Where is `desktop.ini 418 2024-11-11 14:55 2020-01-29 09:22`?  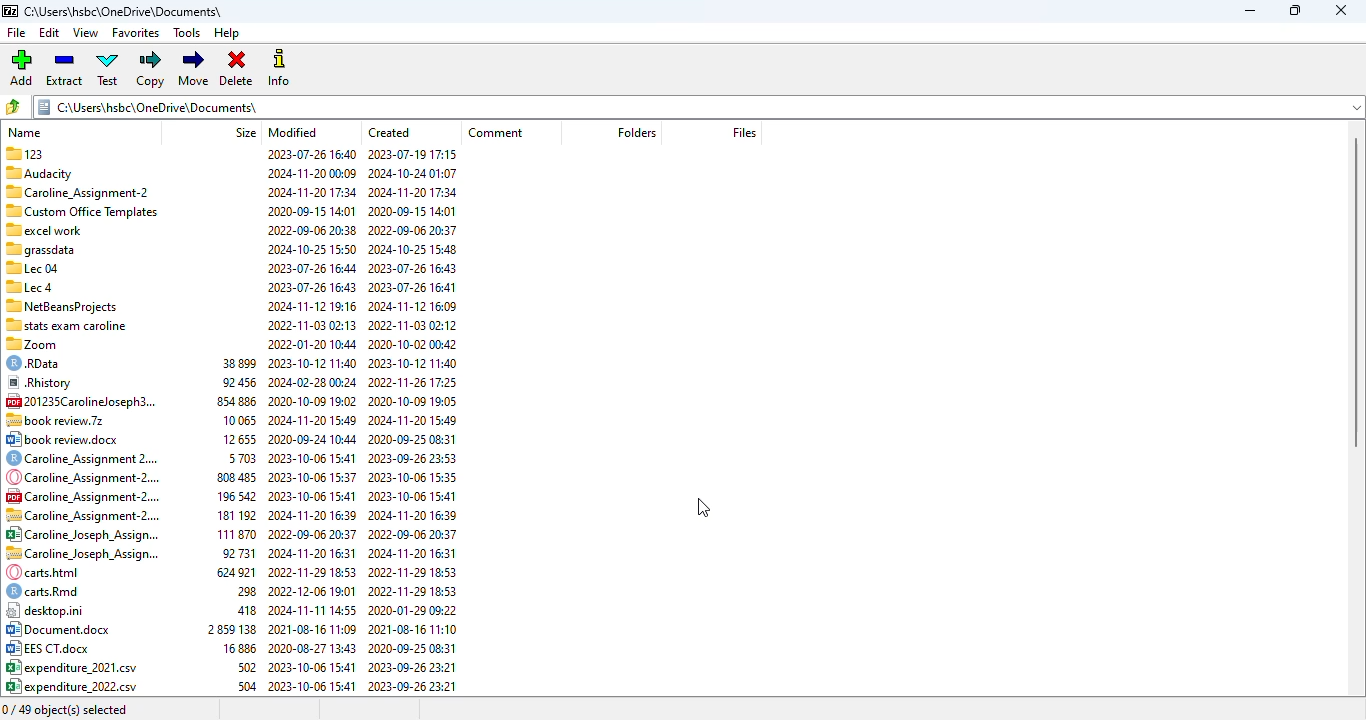
desktop.ini 418 2024-11-11 14:55 2020-01-29 09:22 is located at coordinates (232, 591).